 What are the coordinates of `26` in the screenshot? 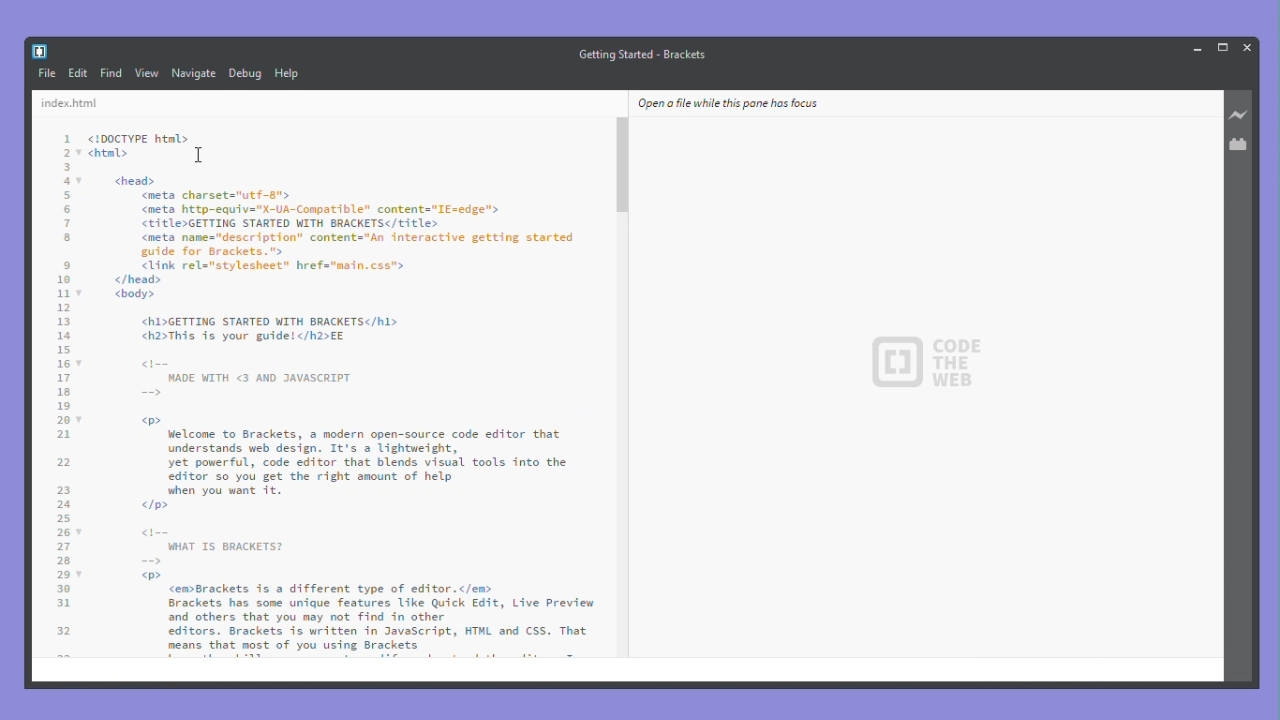 It's located at (63, 533).